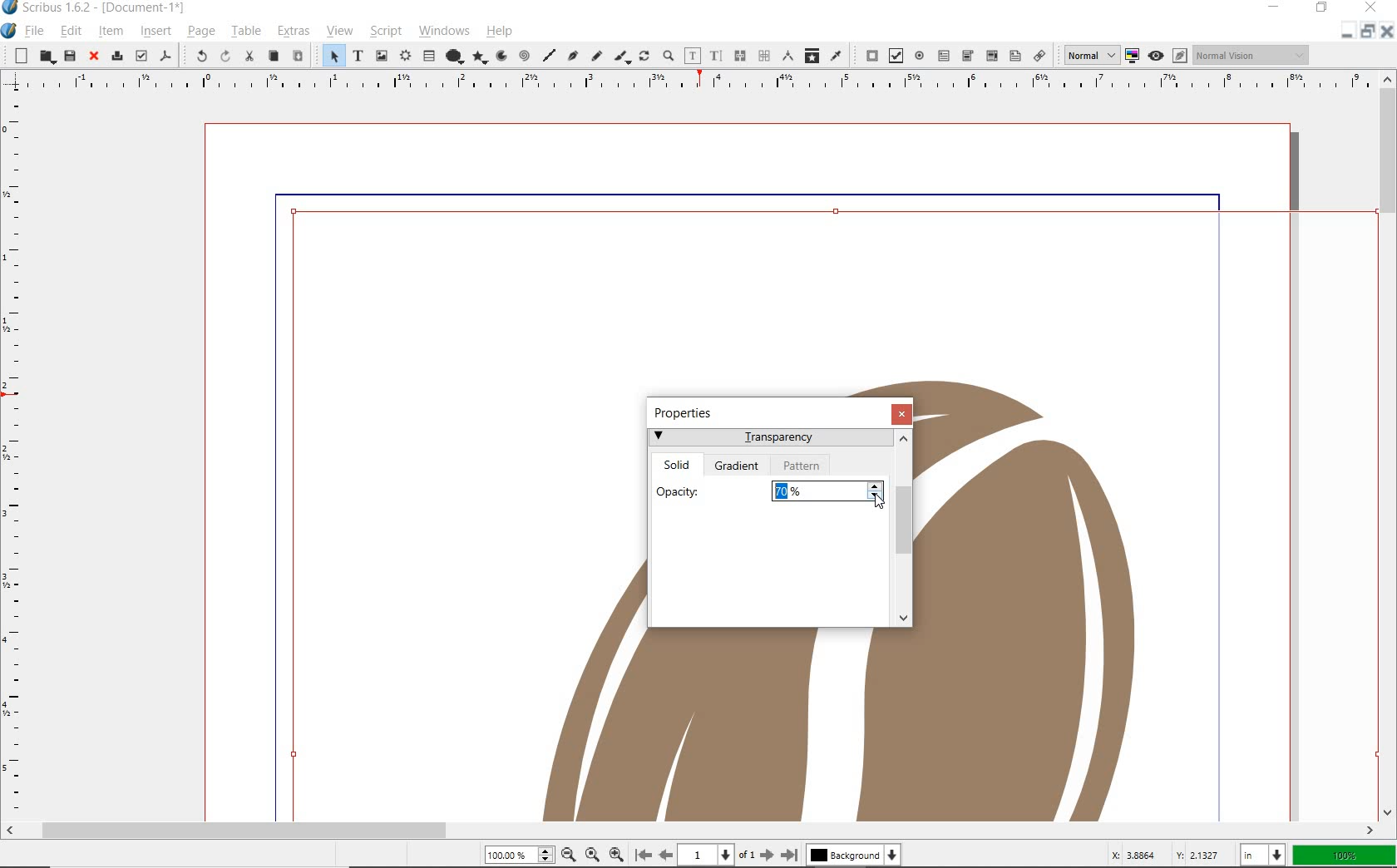  Describe the element at coordinates (37, 30) in the screenshot. I see `file` at that location.